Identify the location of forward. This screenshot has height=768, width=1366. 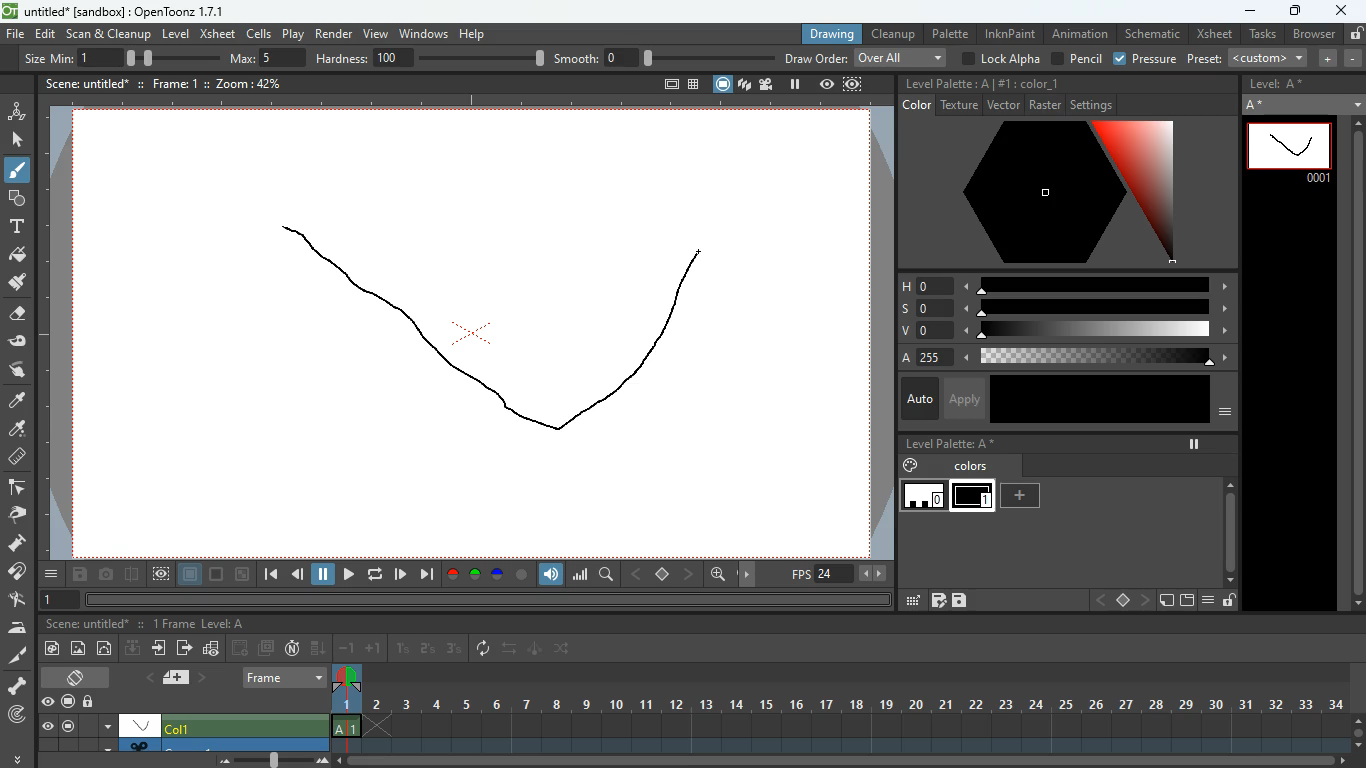
(400, 574).